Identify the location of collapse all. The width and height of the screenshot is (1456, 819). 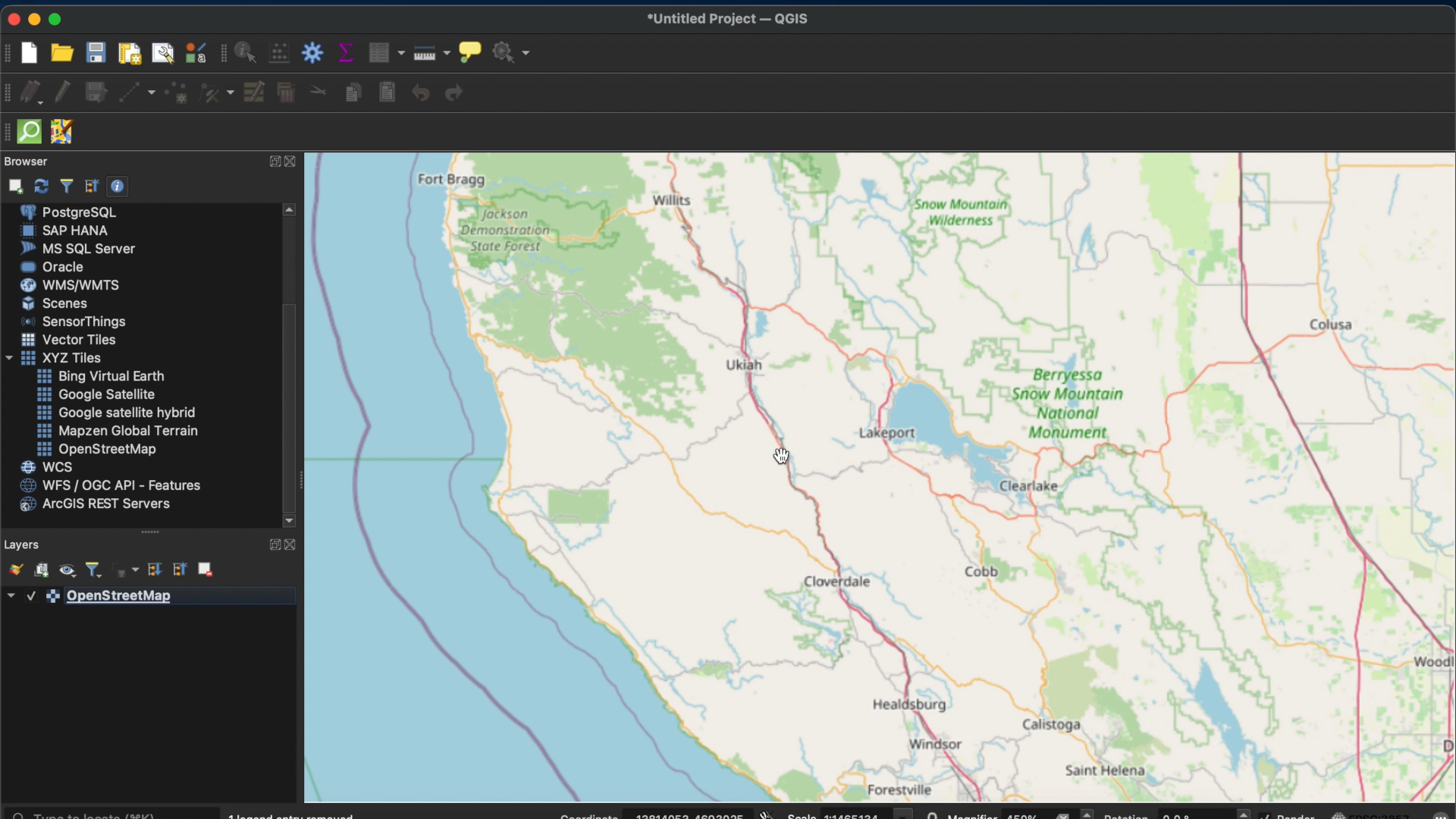
(179, 570).